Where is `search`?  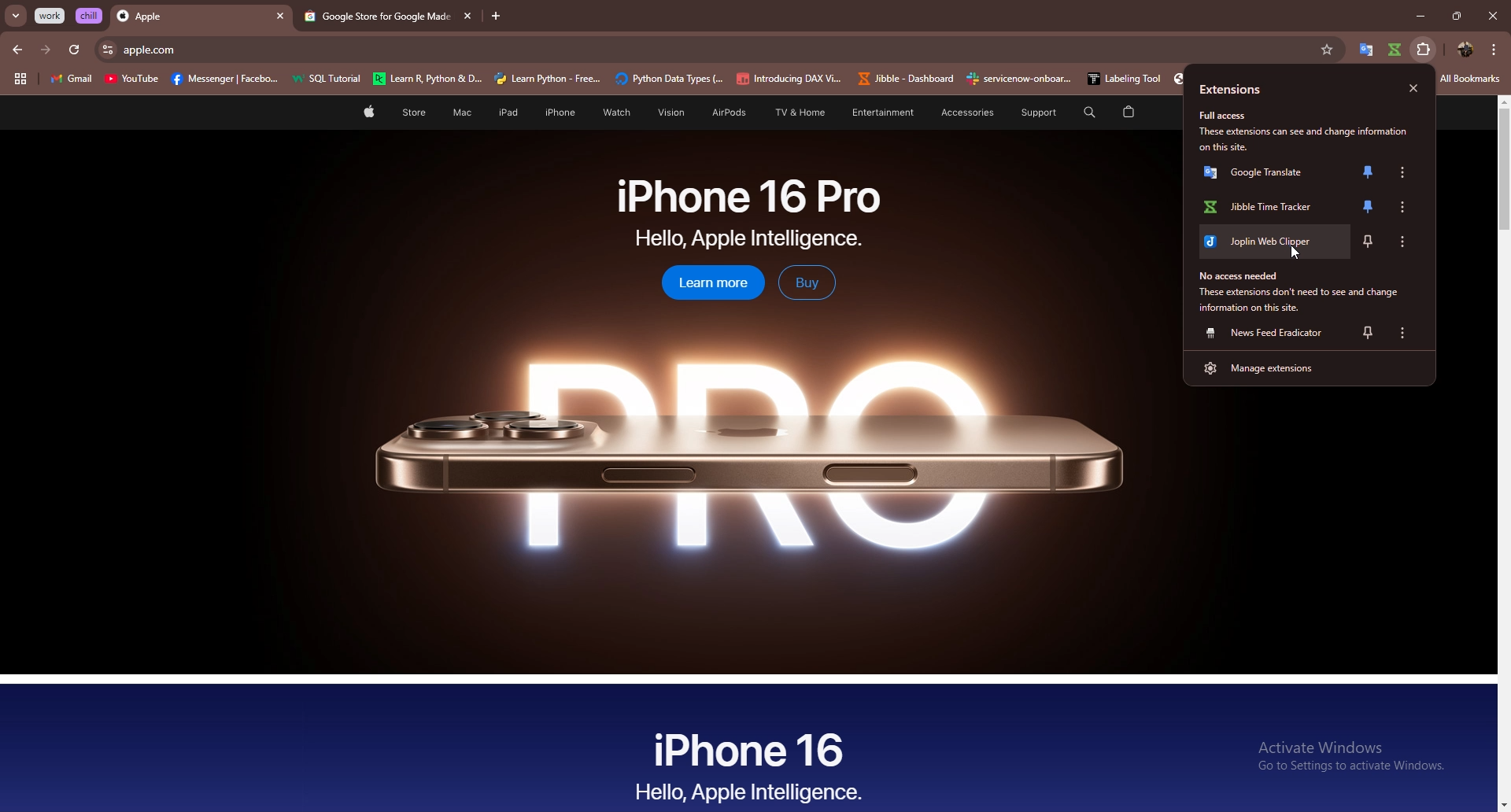
search is located at coordinates (1087, 112).